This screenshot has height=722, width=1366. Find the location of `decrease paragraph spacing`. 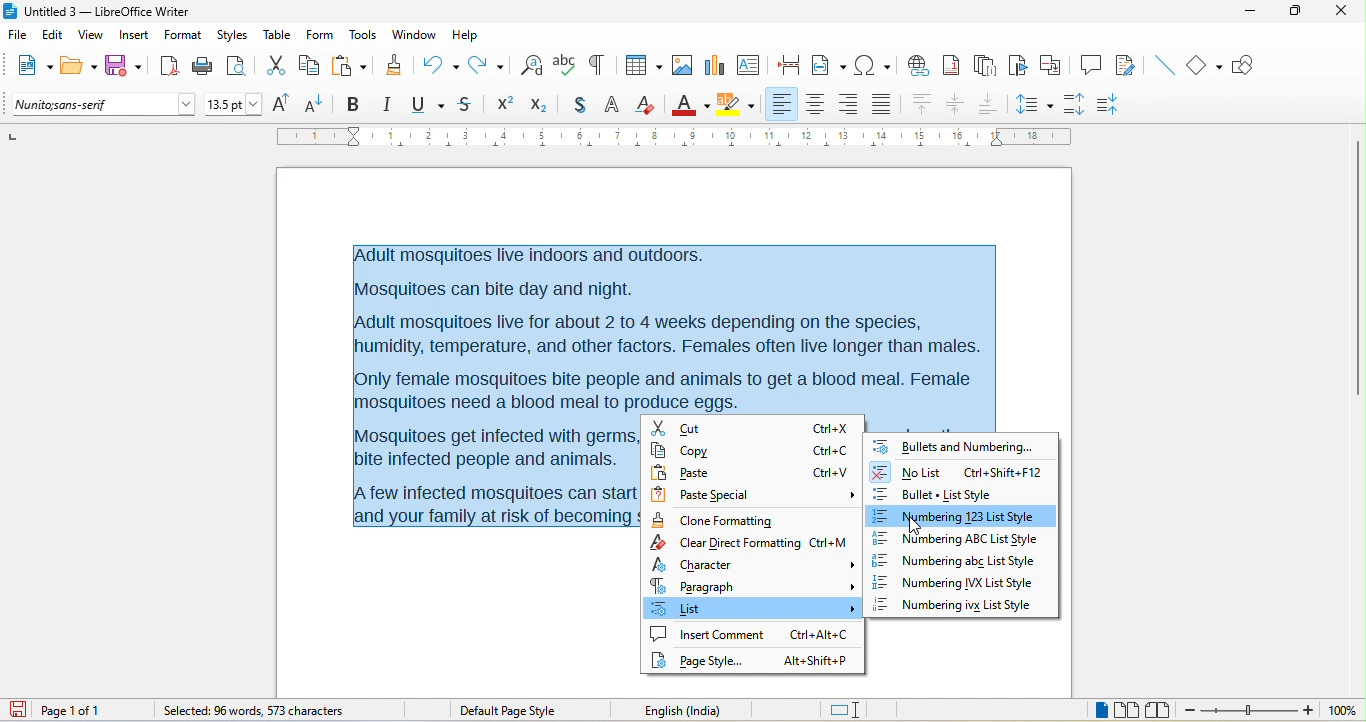

decrease paragraph spacing is located at coordinates (1121, 102).